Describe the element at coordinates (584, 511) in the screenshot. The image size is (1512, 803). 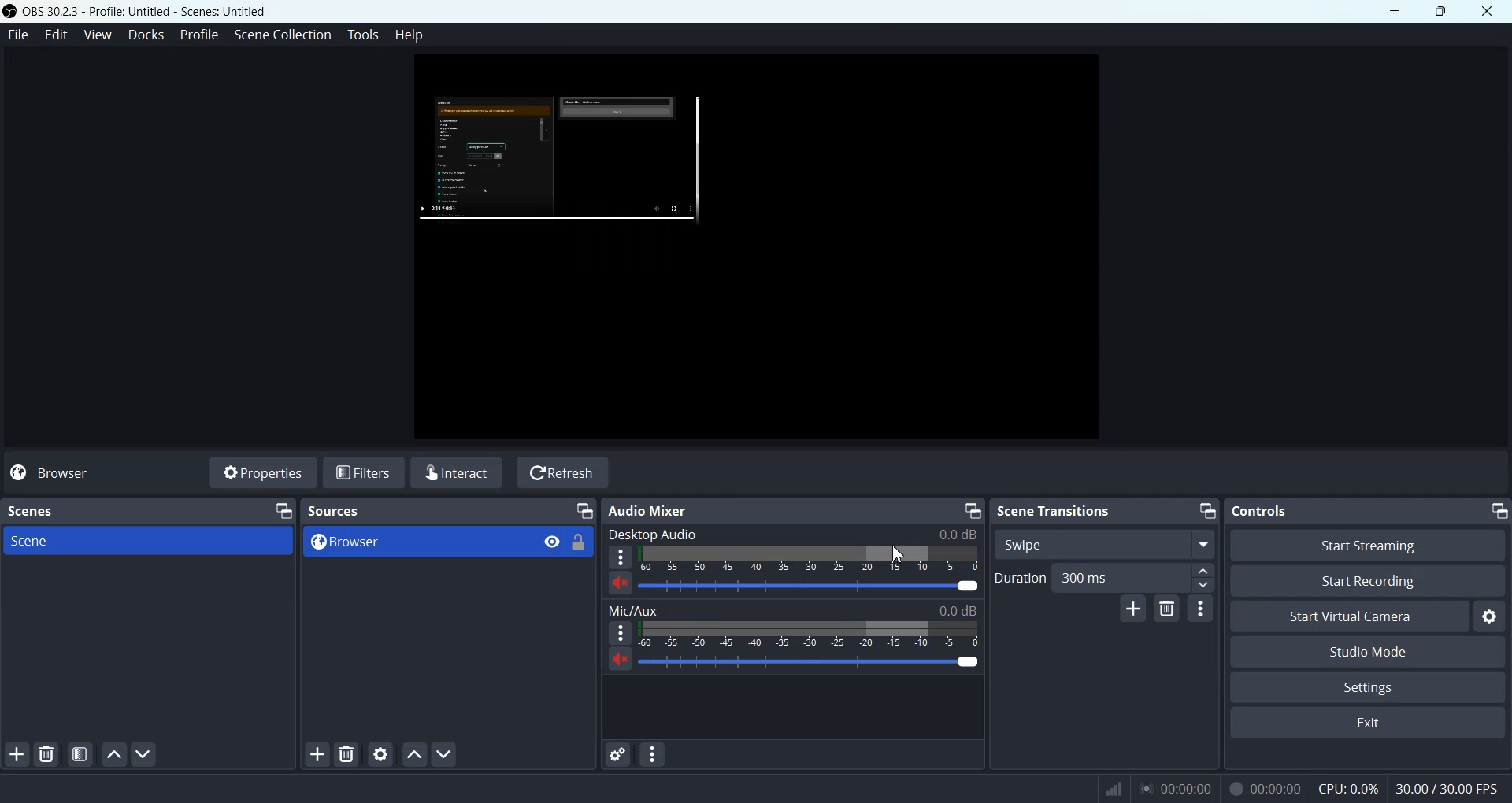
I see `Minimize` at that location.